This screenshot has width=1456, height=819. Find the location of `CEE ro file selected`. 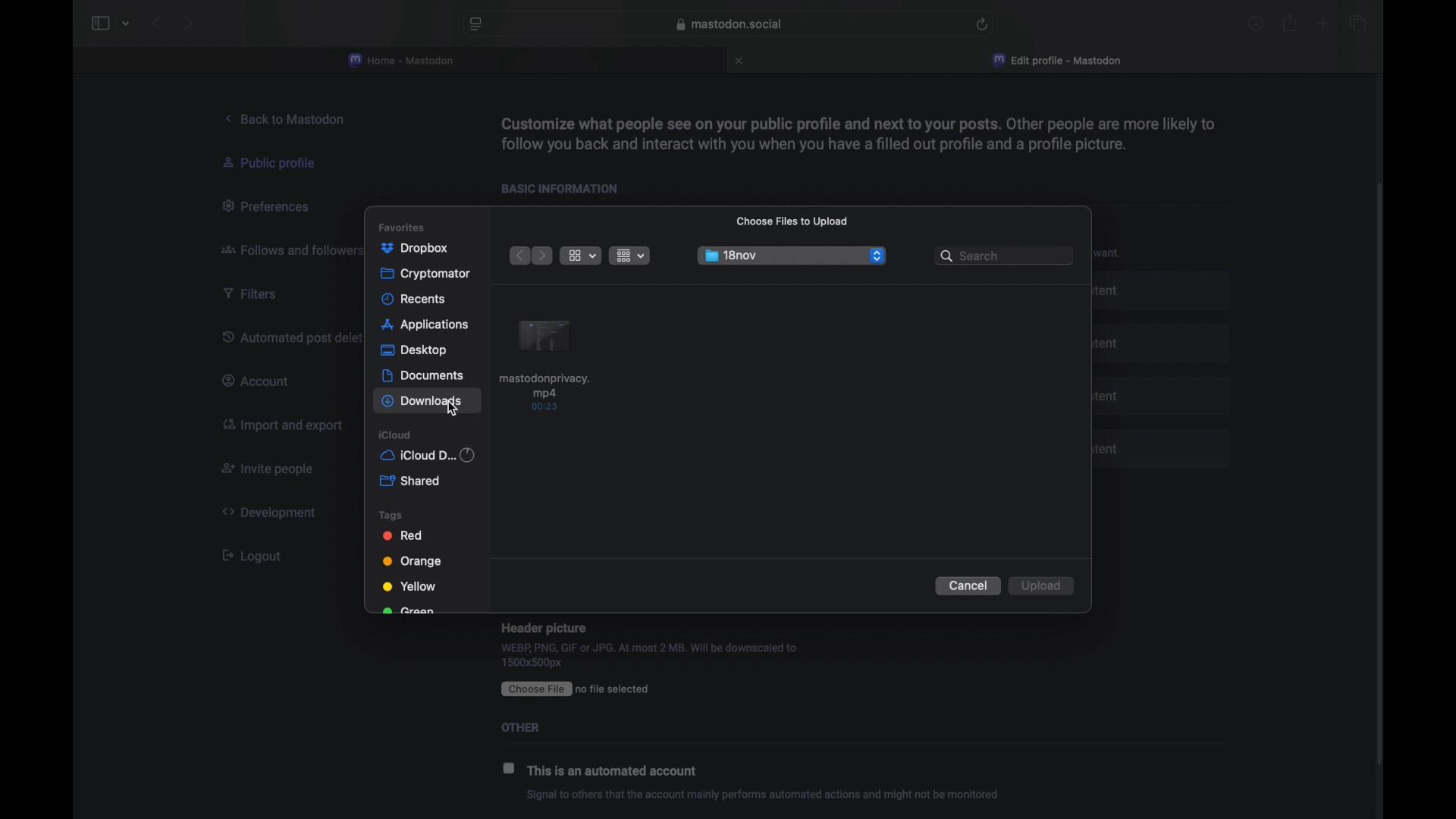

CEE ro file selected is located at coordinates (585, 688).